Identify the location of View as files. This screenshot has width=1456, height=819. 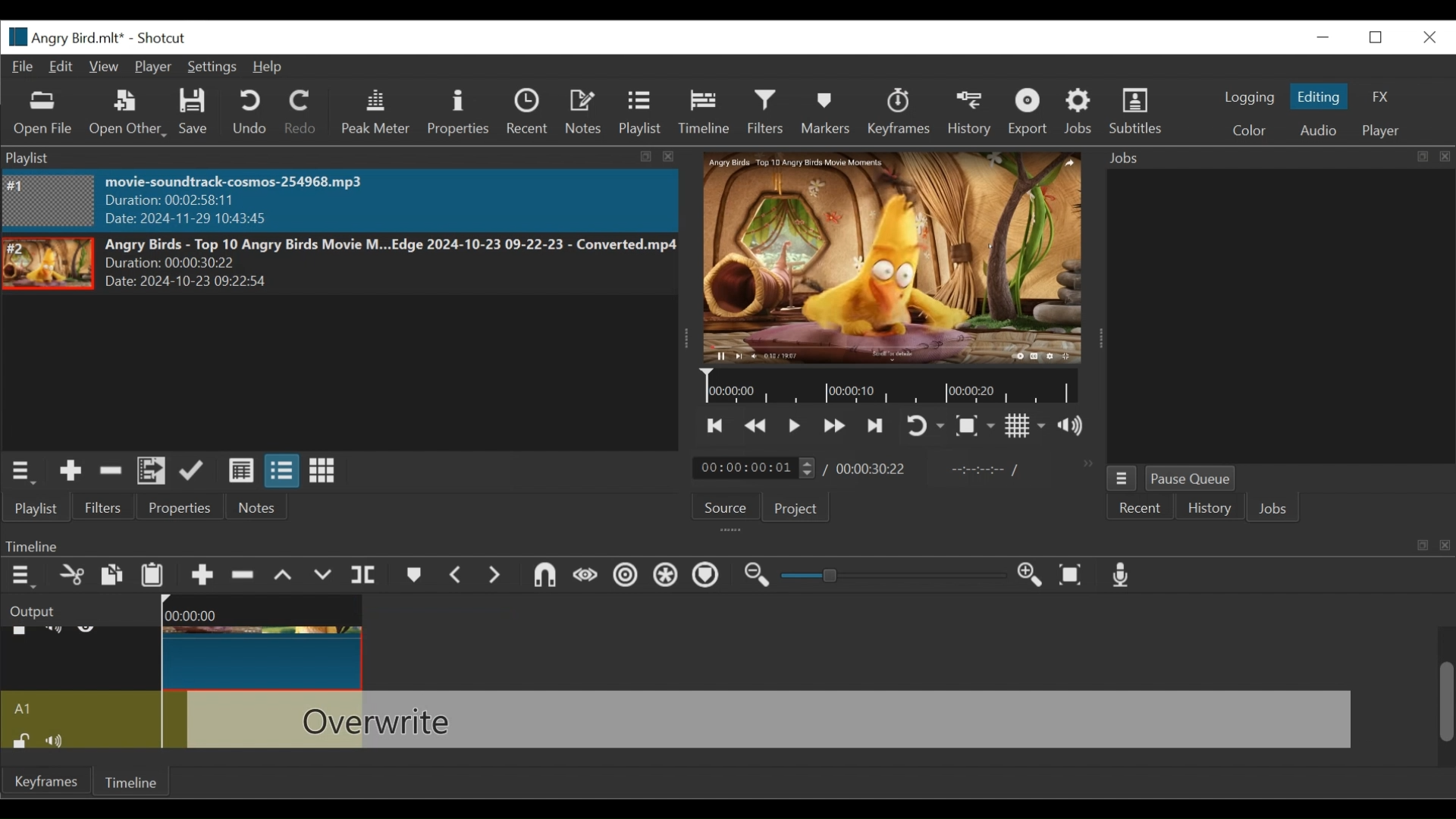
(281, 472).